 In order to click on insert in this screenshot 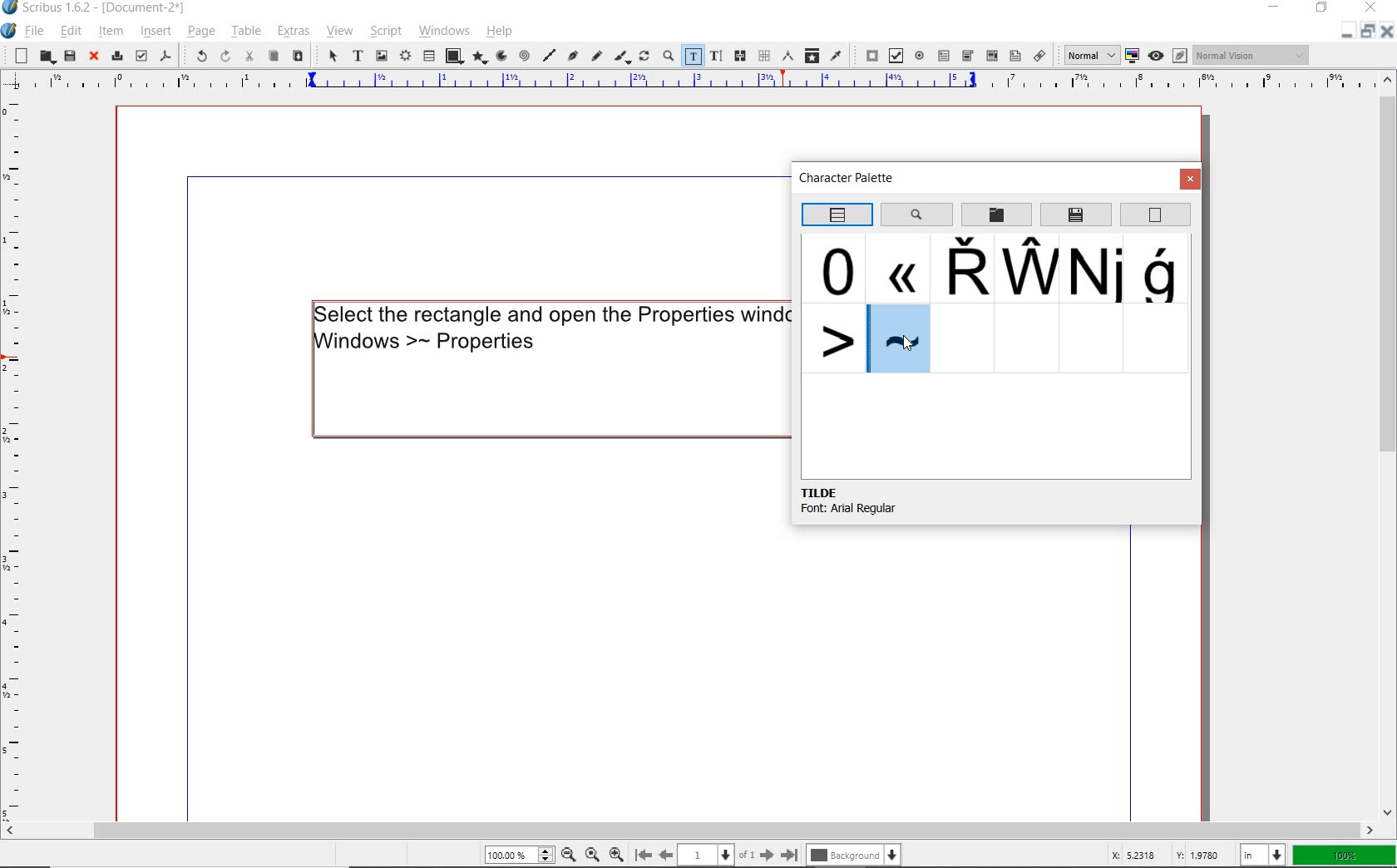, I will do `click(155, 31)`.